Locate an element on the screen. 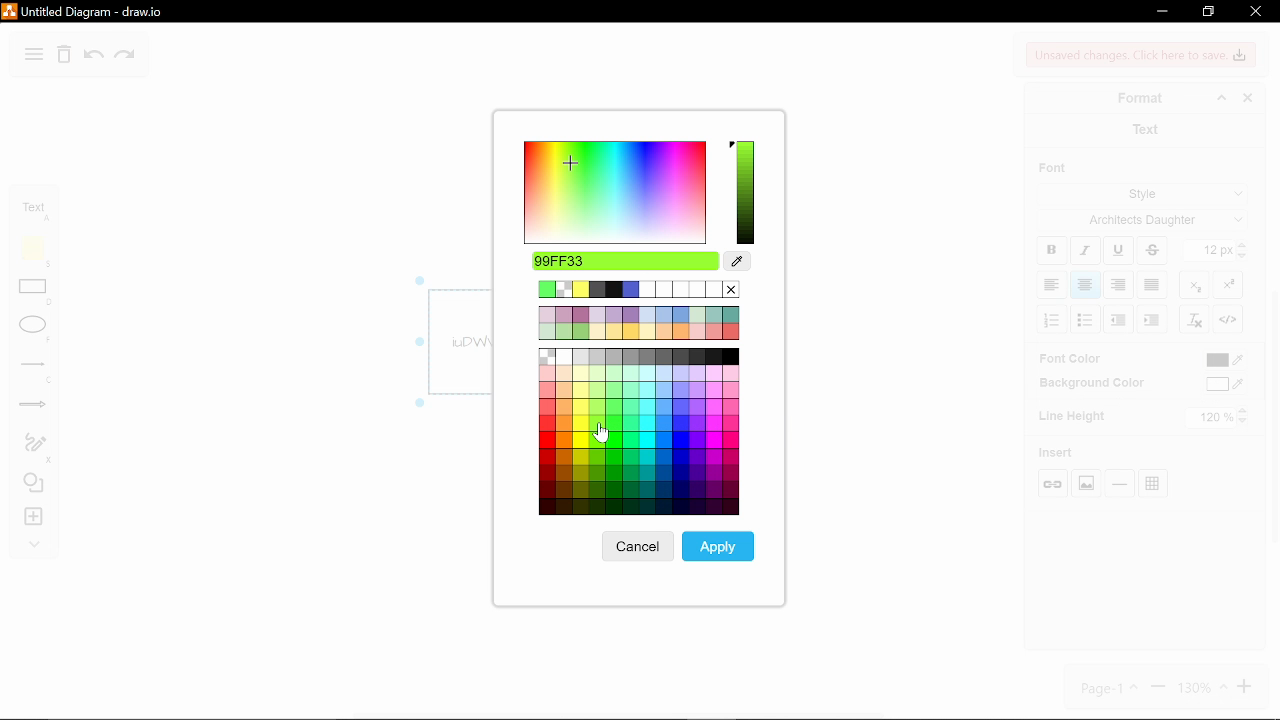  align center is located at coordinates (1119, 283).